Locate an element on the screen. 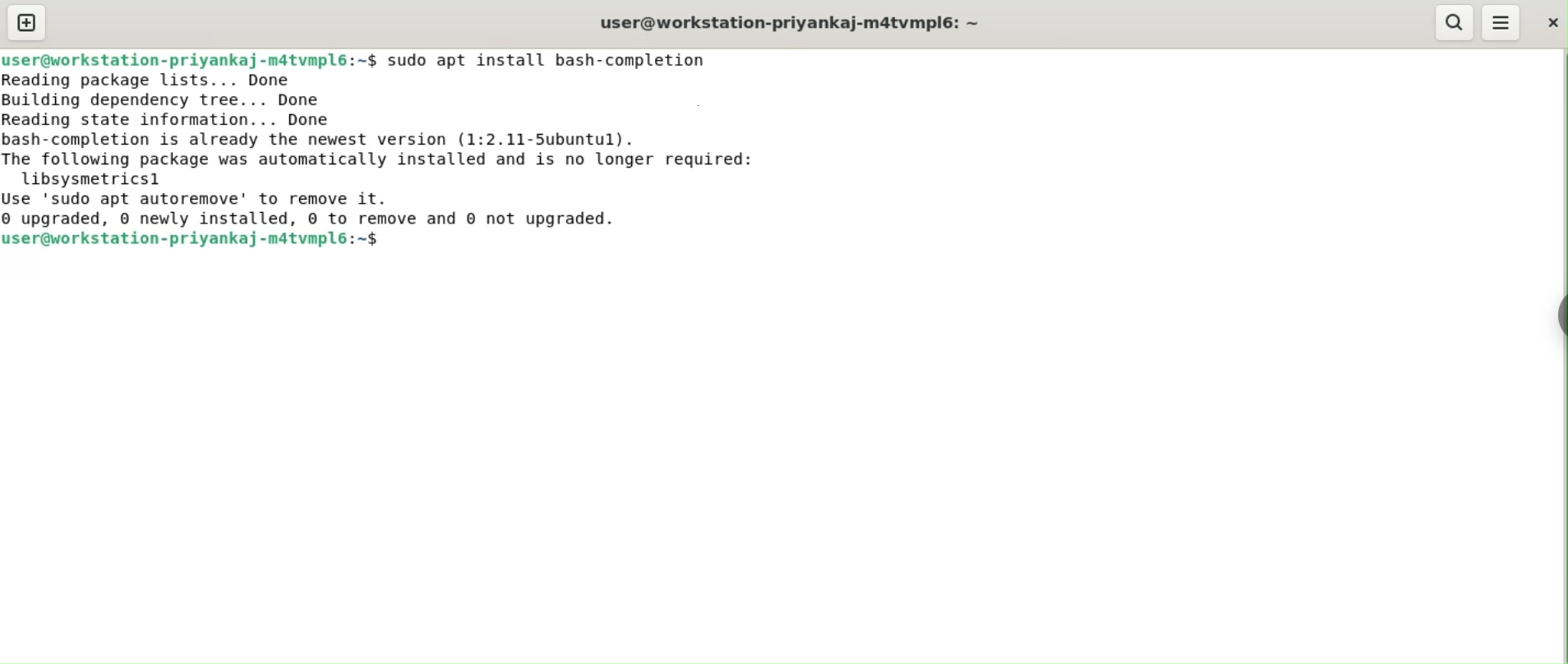 The height and width of the screenshot is (664, 1568). neadlng package Lists... bone

Building dependency tree... Done

Reading state information... Done

bash-completion is already the newest version (1:2.11-5ubuntul).

The following package was automatically installed and is no longer required:
libsysmetricsl

Use 'sudo apt autoremove' to remove it.

® upgraded, © newly installed, © to remove and © not upgraded. is located at coordinates (396, 150).